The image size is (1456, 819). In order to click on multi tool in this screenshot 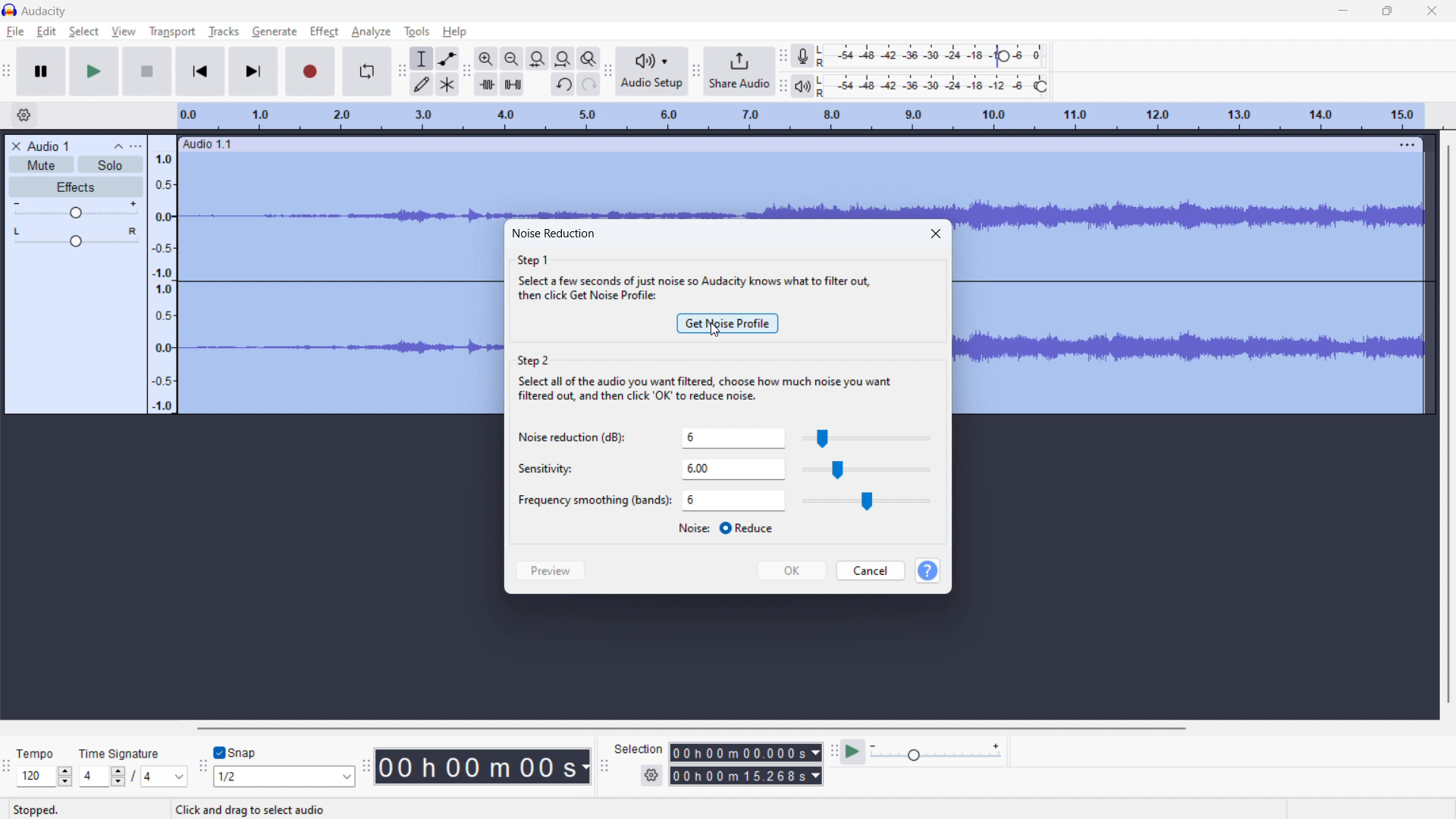, I will do `click(448, 84)`.